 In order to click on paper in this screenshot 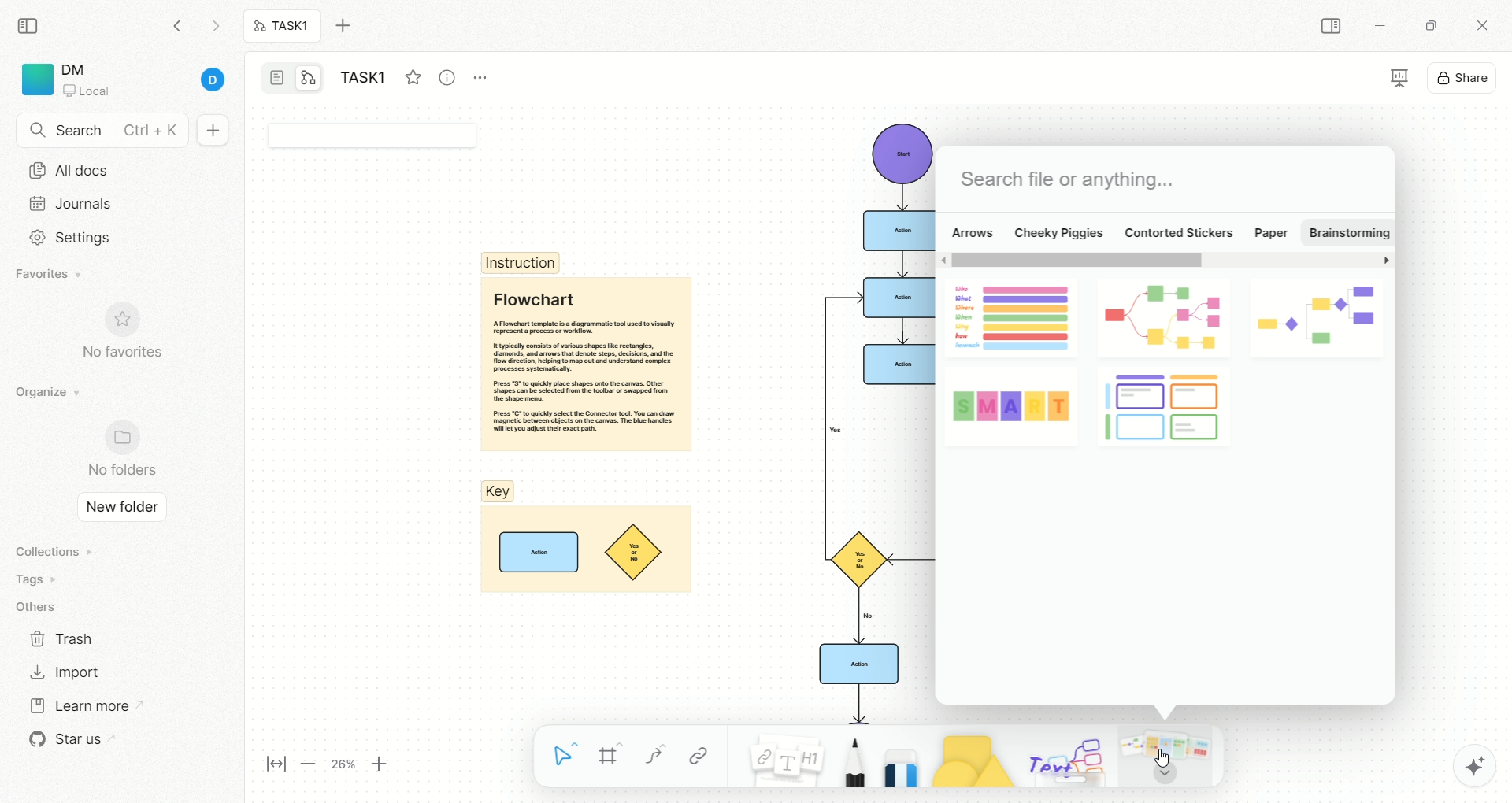, I will do `click(1274, 235)`.